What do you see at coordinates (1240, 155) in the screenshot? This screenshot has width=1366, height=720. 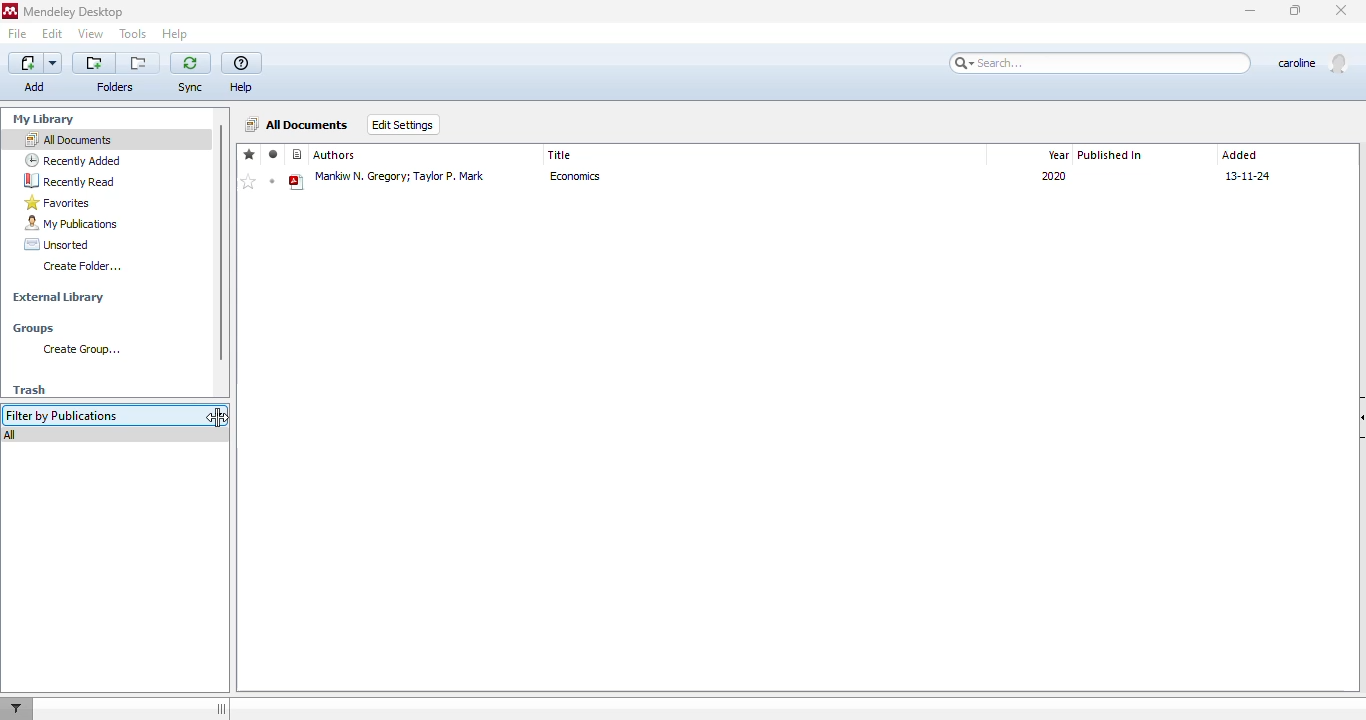 I see `added` at bounding box center [1240, 155].